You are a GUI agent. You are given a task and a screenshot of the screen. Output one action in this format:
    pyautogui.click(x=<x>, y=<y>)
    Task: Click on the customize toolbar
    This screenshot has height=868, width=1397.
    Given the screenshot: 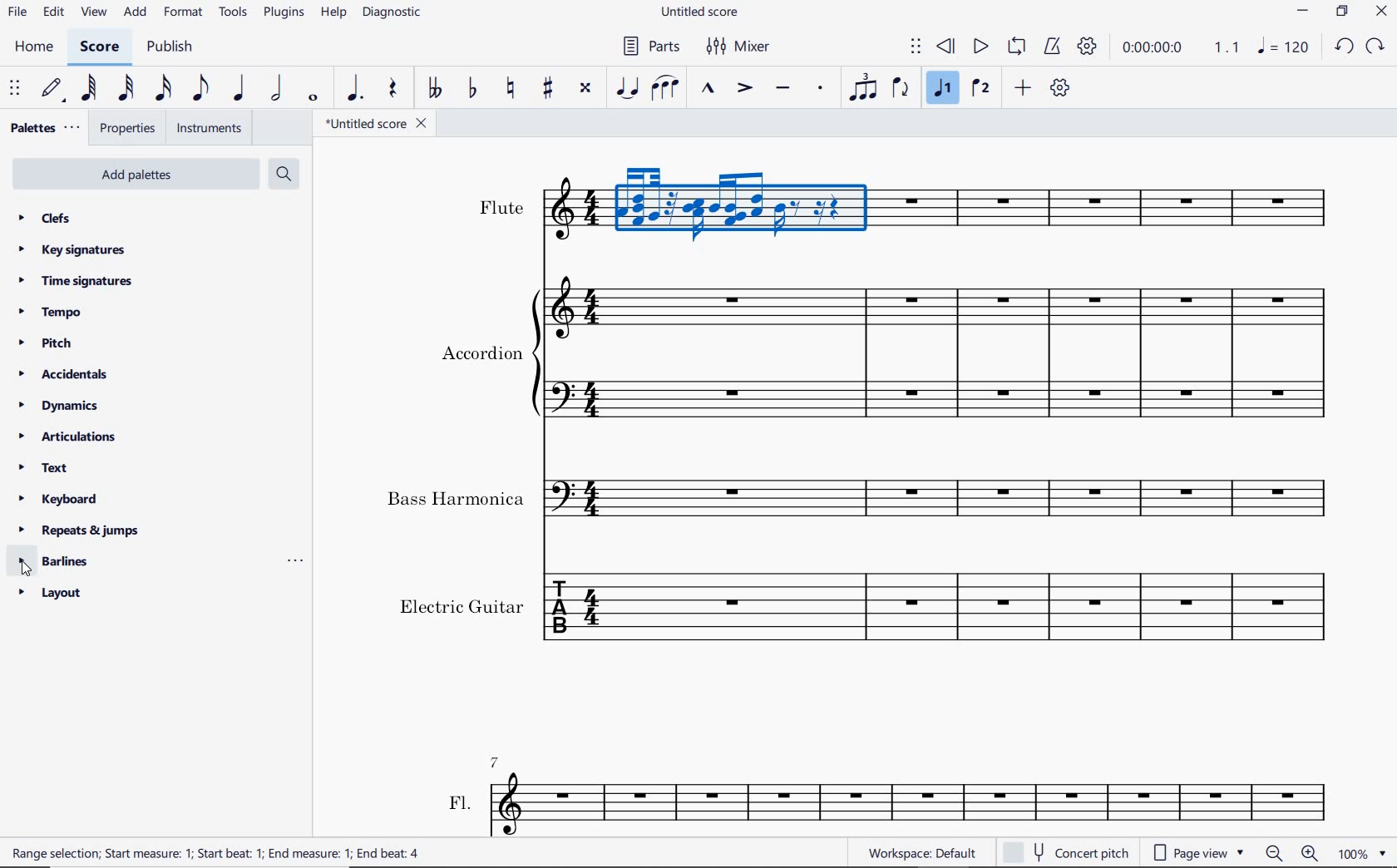 What is the action you would take?
    pyautogui.click(x=1061, y=87)
    